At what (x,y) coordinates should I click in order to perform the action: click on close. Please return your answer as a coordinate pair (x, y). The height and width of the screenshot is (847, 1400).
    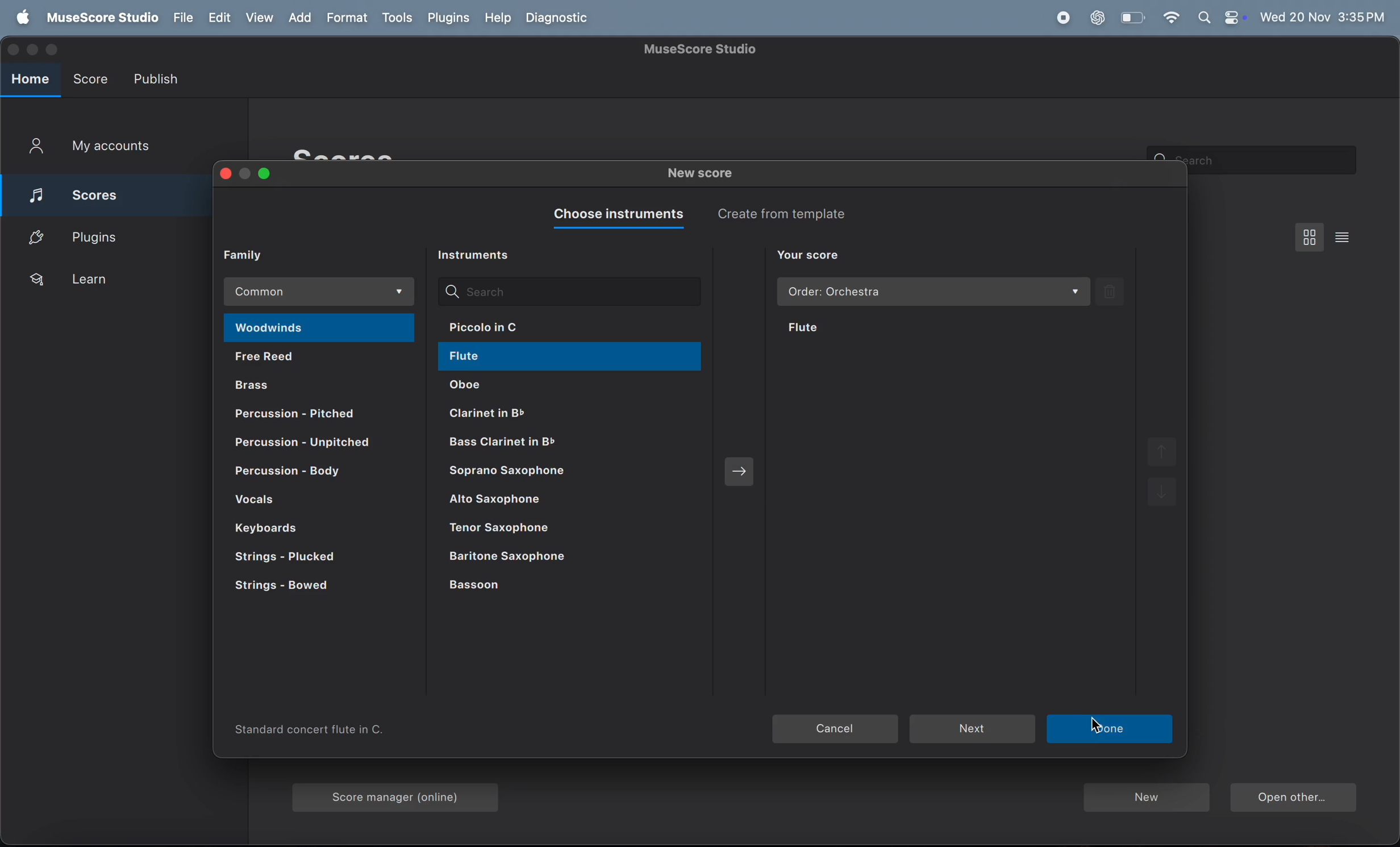
    Looking at the image, I should click on (223, 175).